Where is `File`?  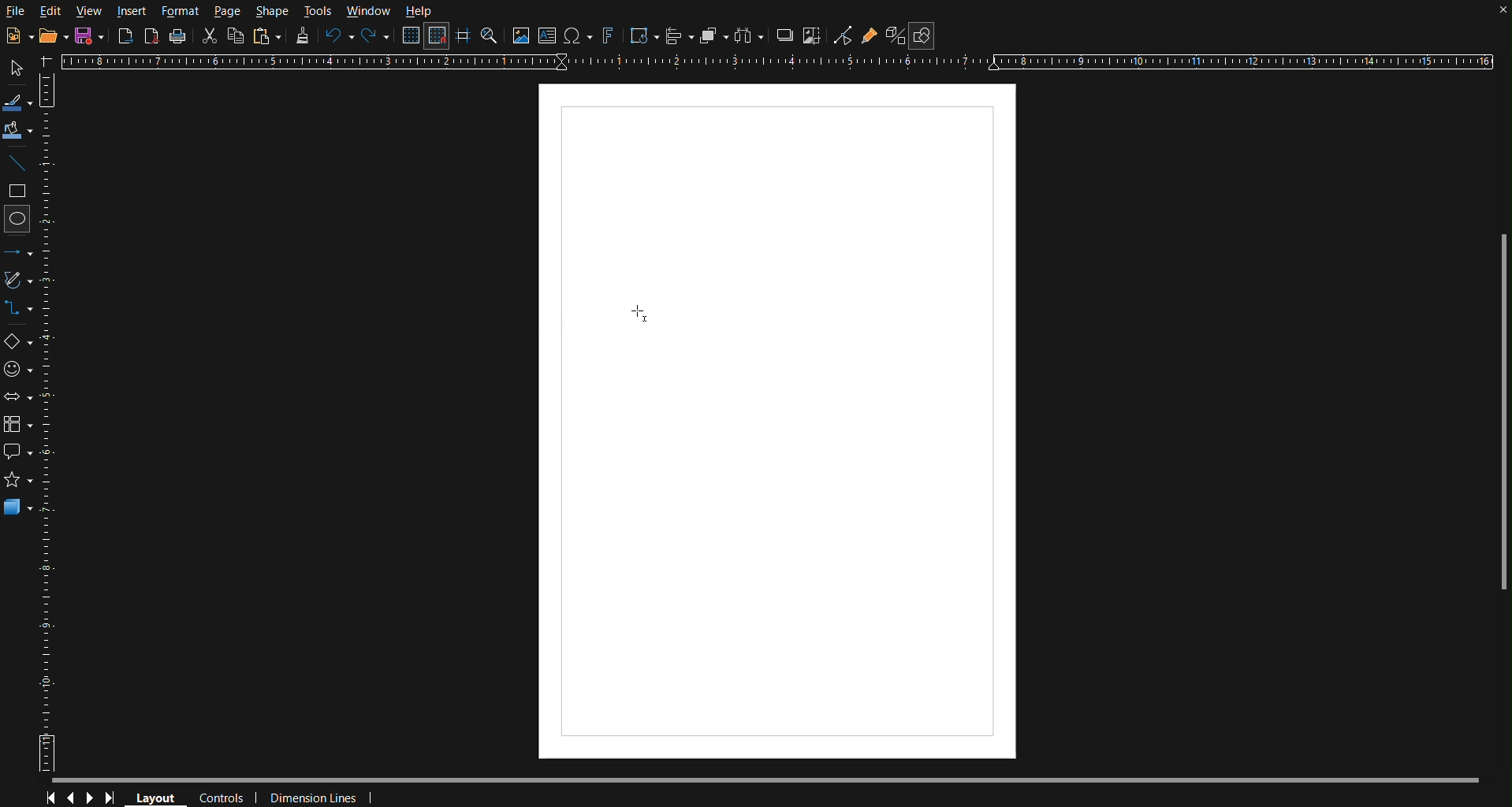
File is located at coordinates (17, 13).